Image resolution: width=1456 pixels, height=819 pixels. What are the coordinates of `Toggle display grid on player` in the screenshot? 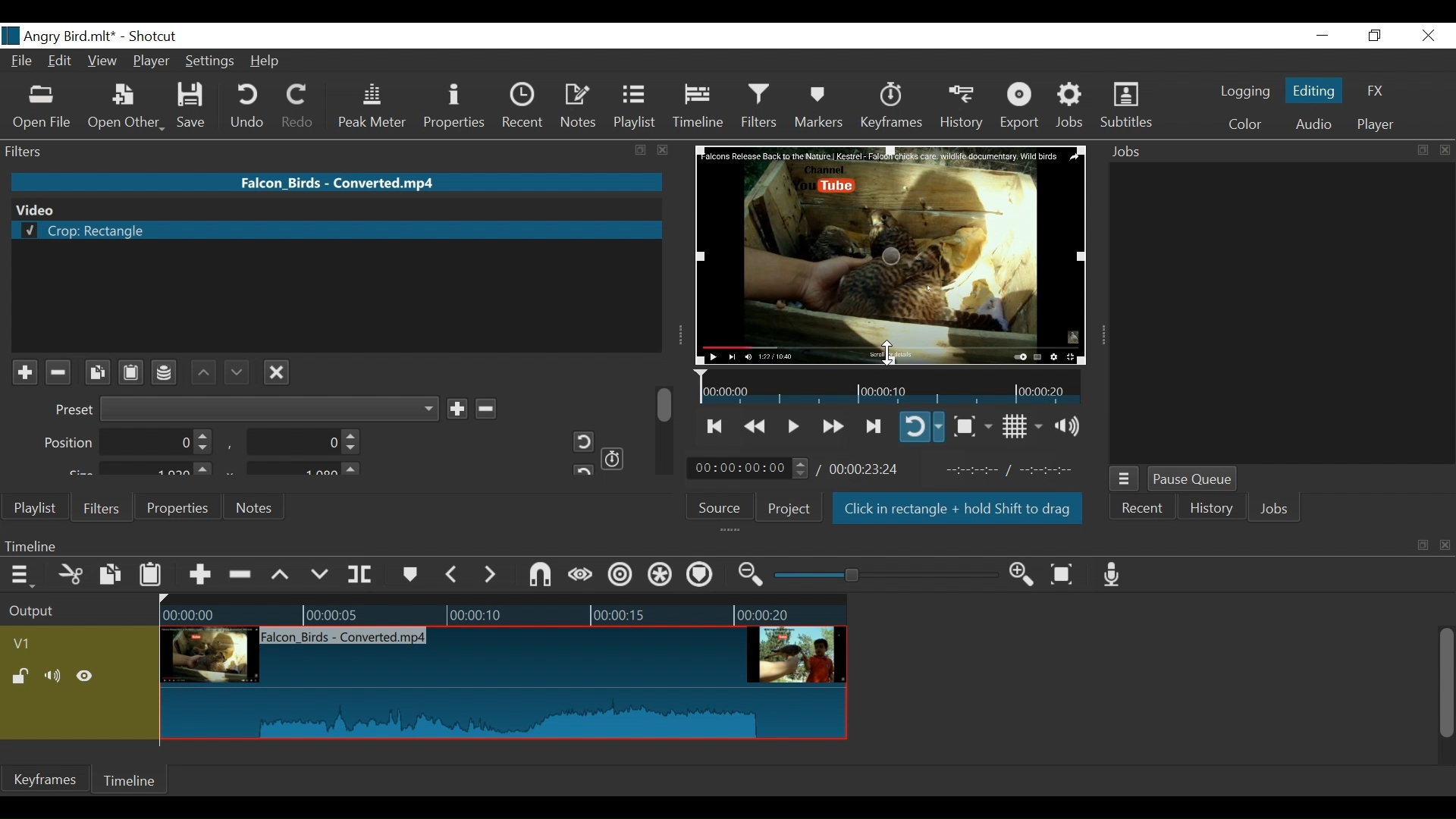 It's located at (1025, 426).